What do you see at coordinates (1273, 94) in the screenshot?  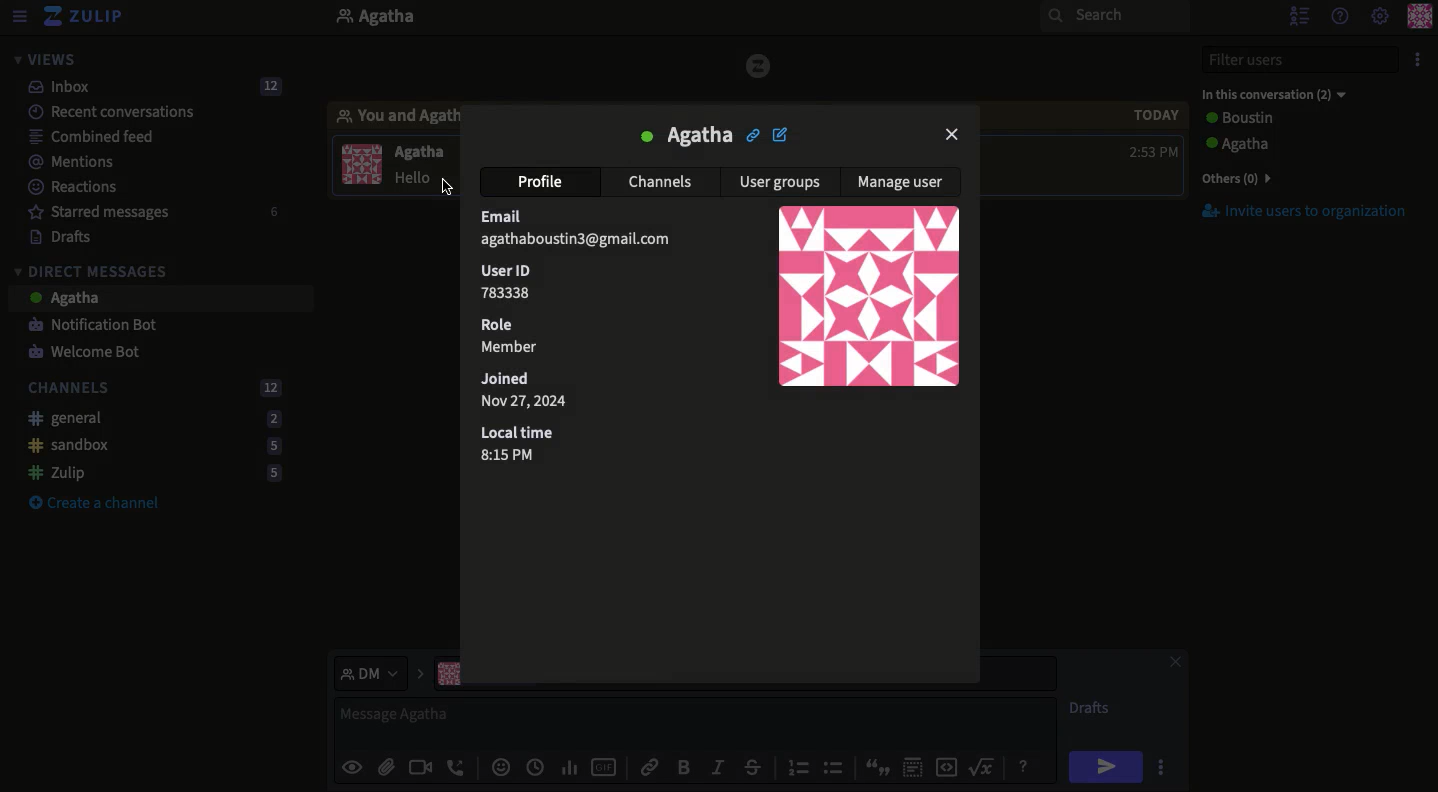 I see `User 2` at bounding box center [1273, 94].